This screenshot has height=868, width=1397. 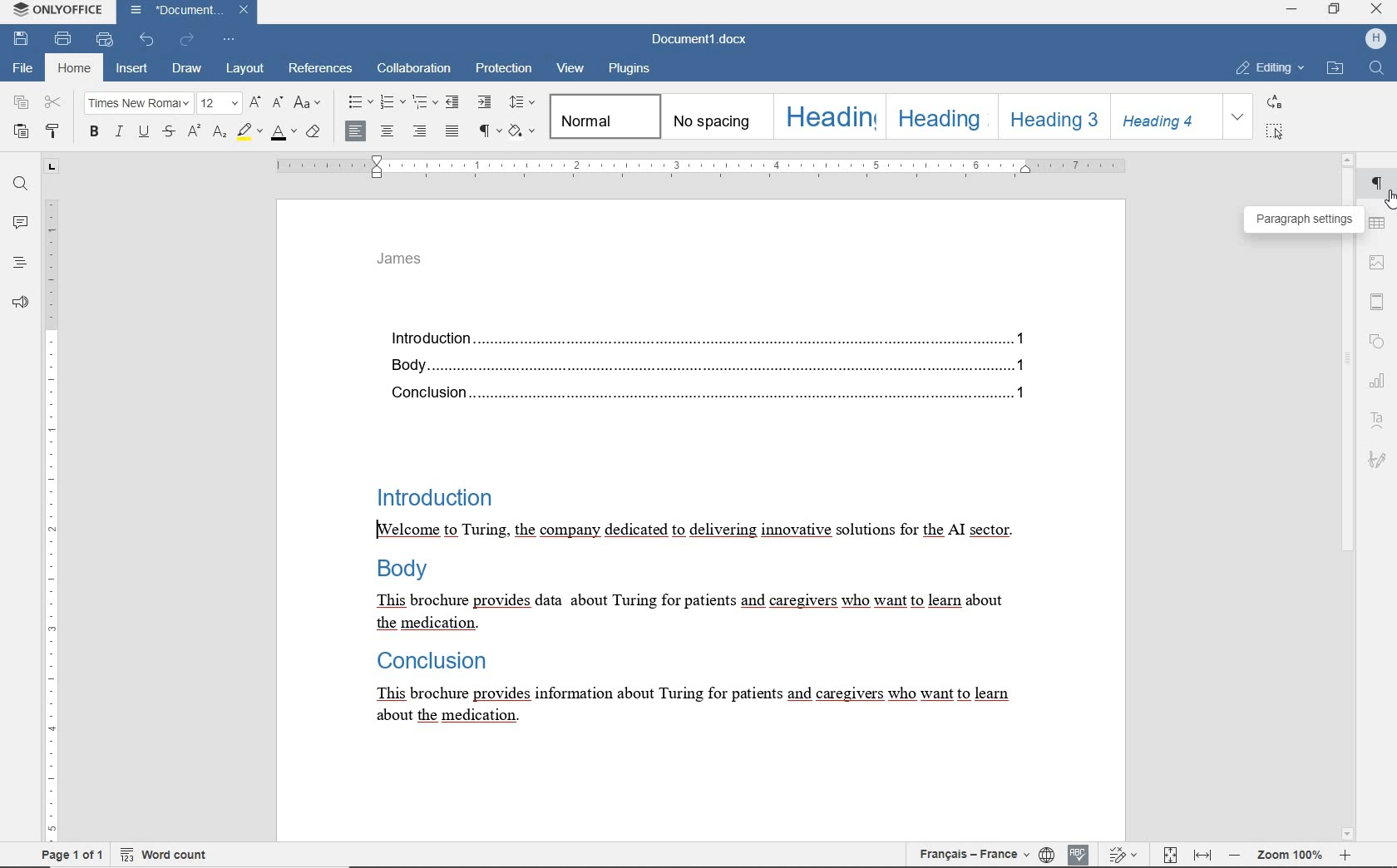 I want to click on shape, so click(x=1380, y=341).